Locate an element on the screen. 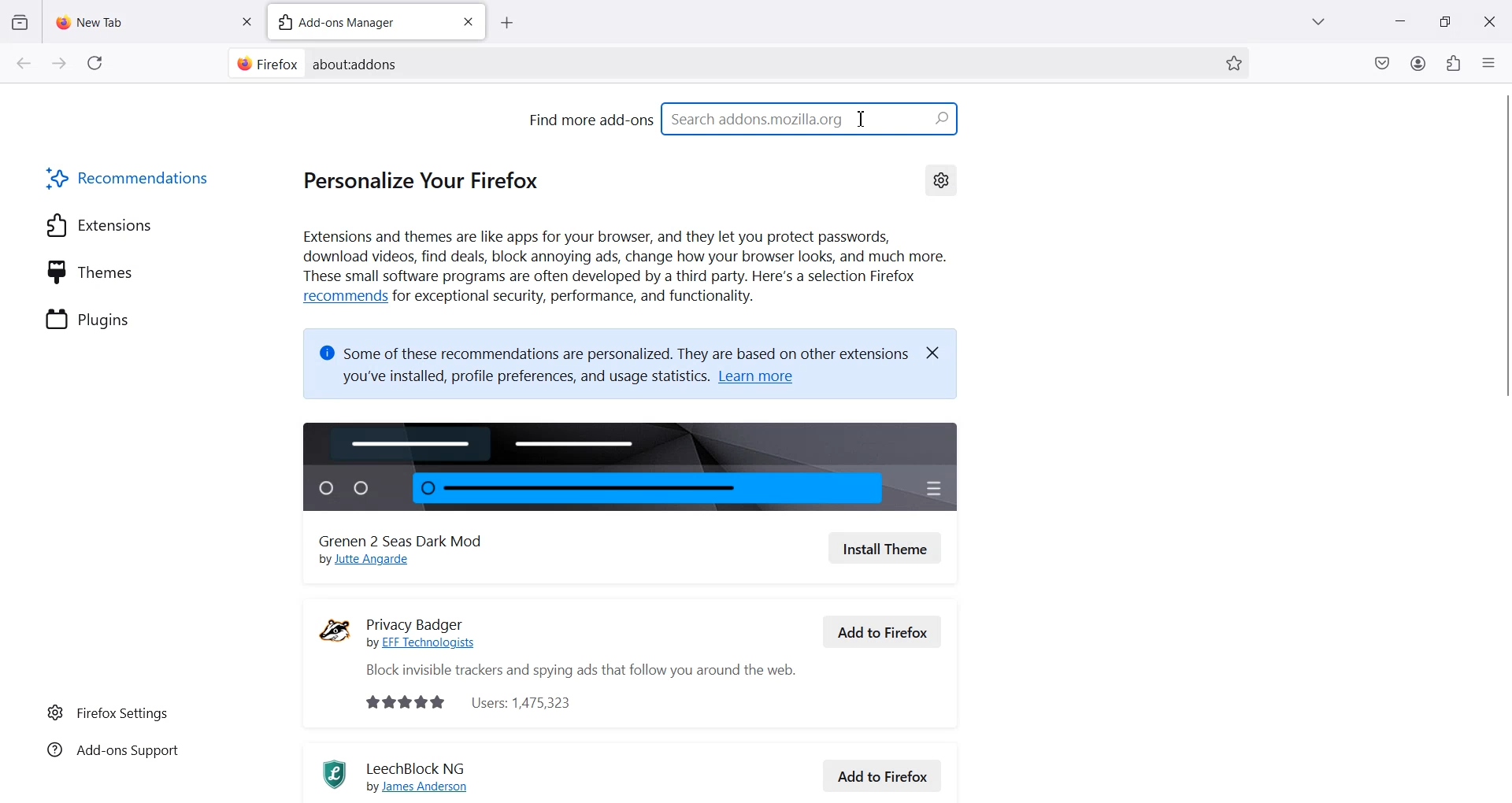  Recommendations is located at coordinates (130, 177).